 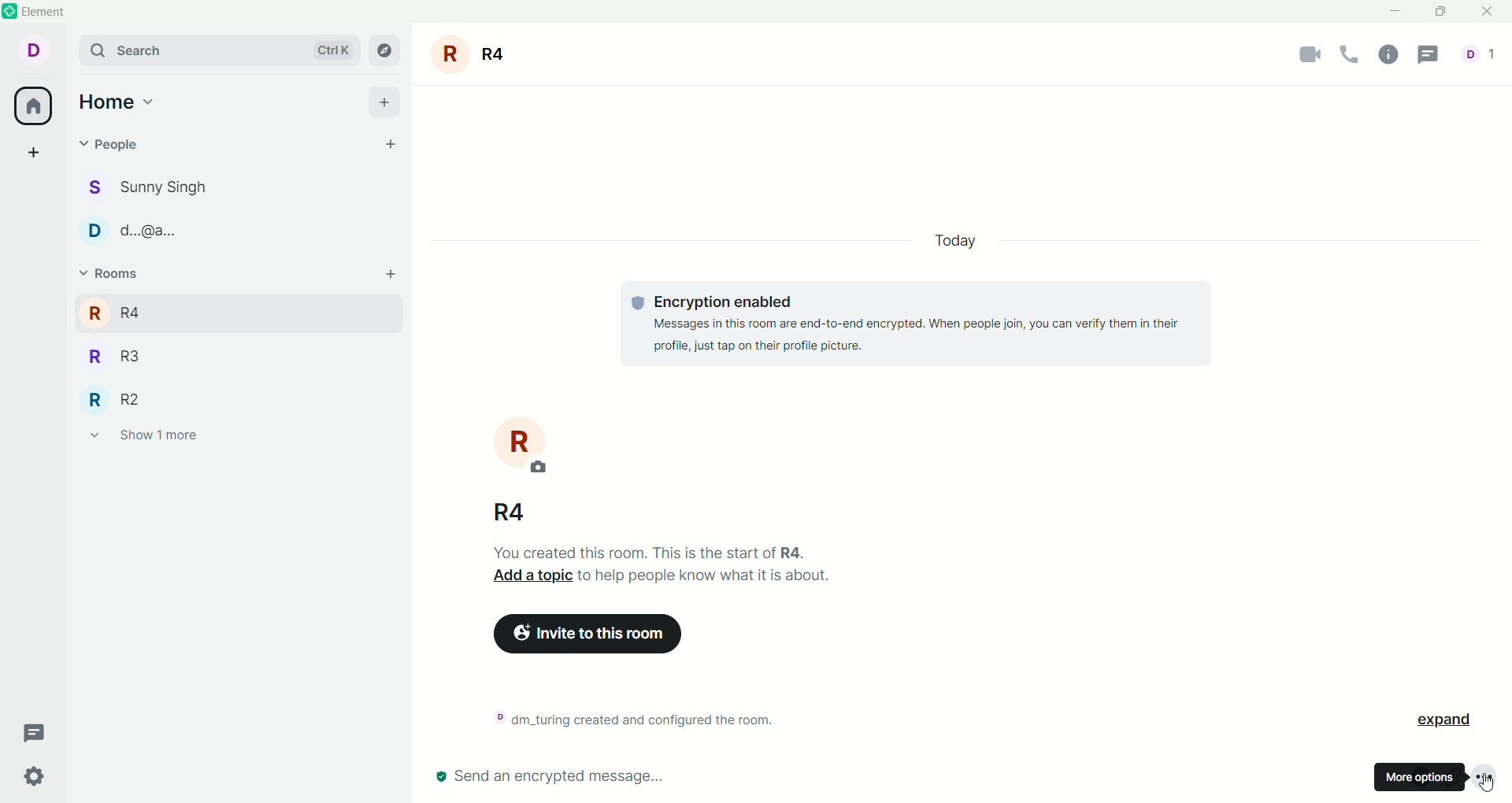 I want to click on start chat, so click(x=393, y=146).